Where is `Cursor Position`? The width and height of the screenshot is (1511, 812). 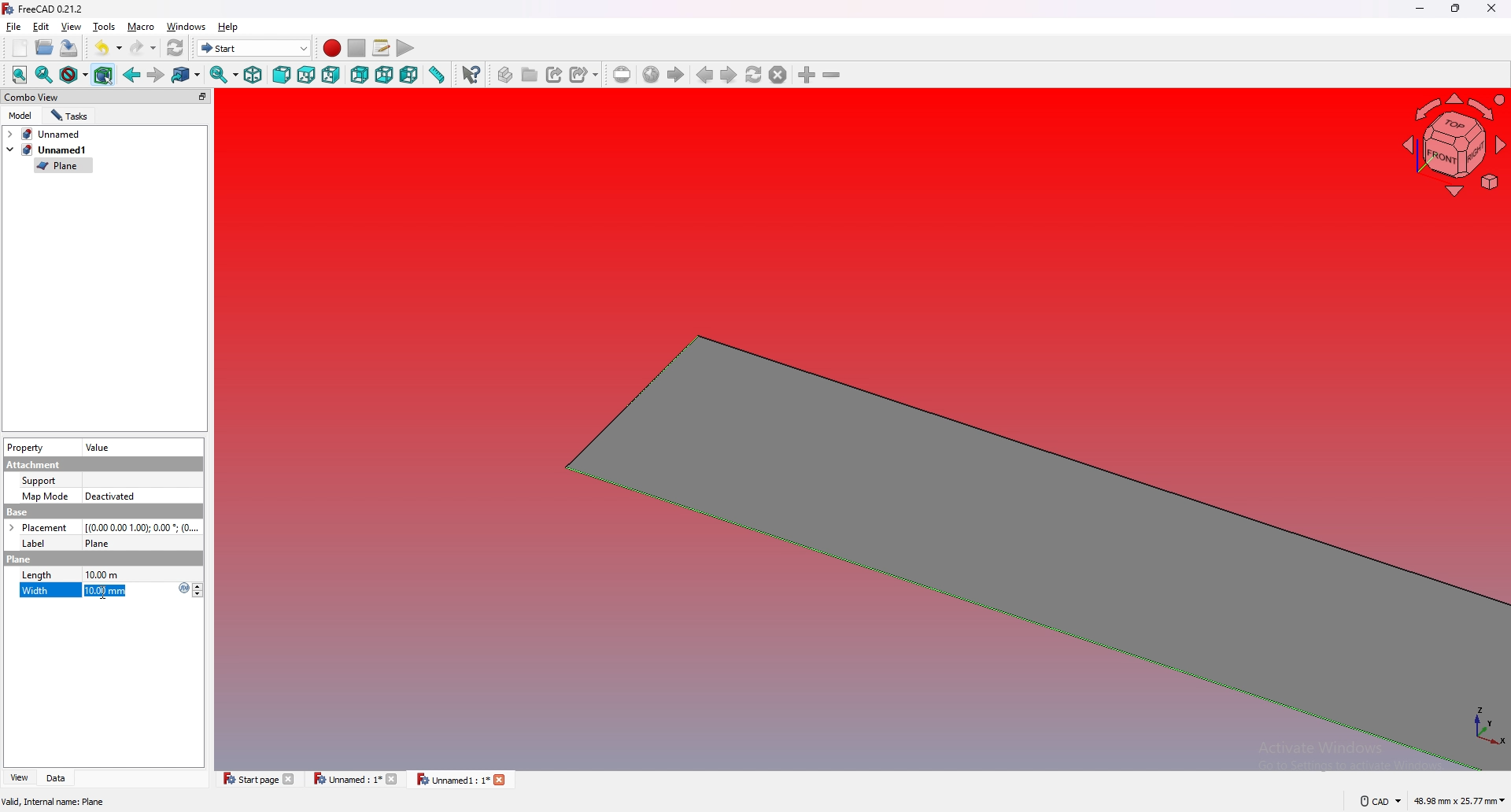
Cursor Position is located at coordinates (104, 593).